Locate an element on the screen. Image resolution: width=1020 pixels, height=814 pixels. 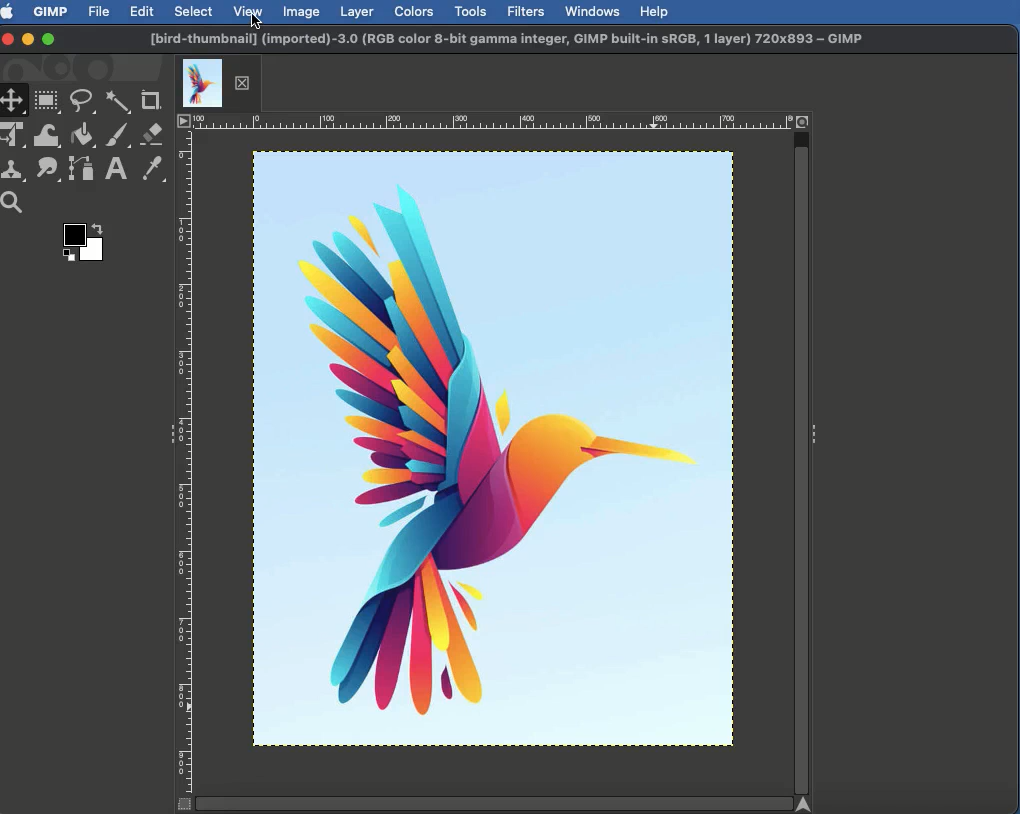
Layer is located at coordinates (357, 12).